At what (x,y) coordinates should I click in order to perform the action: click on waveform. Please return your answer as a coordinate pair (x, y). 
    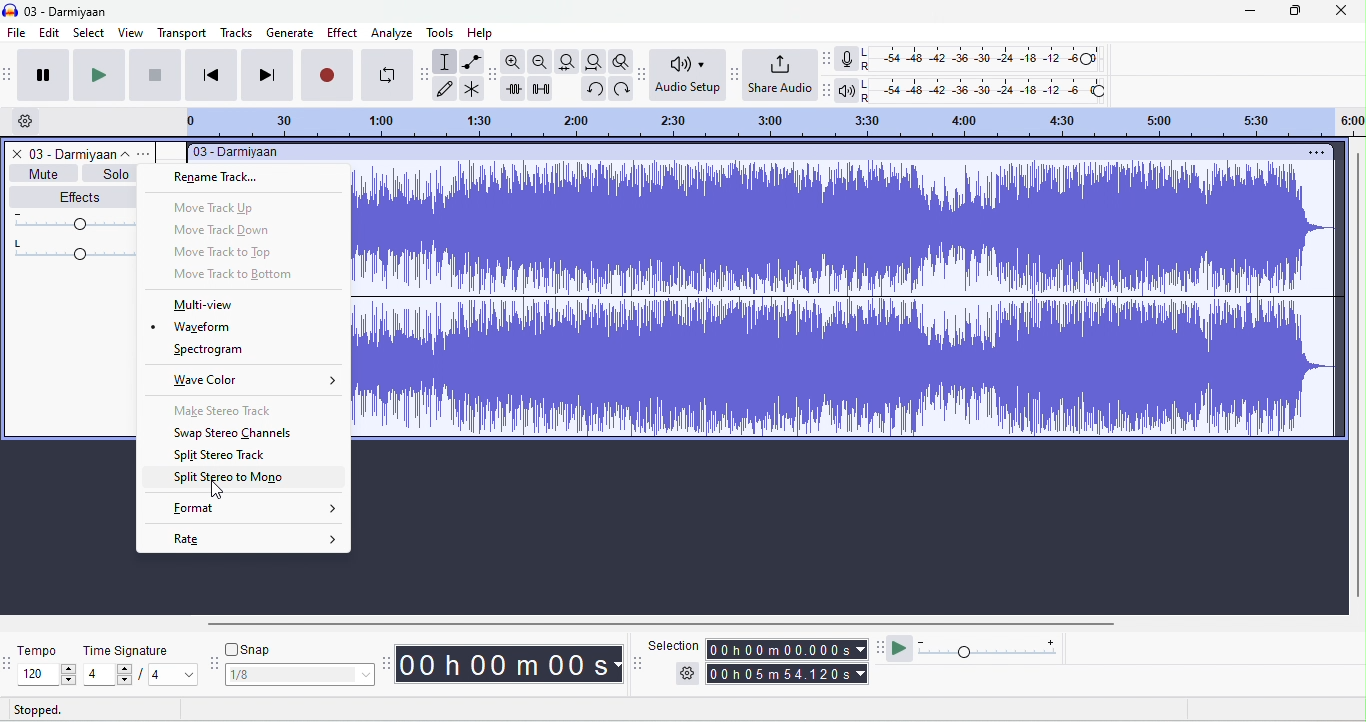
    Looking at the image, I should click on (197, 327).